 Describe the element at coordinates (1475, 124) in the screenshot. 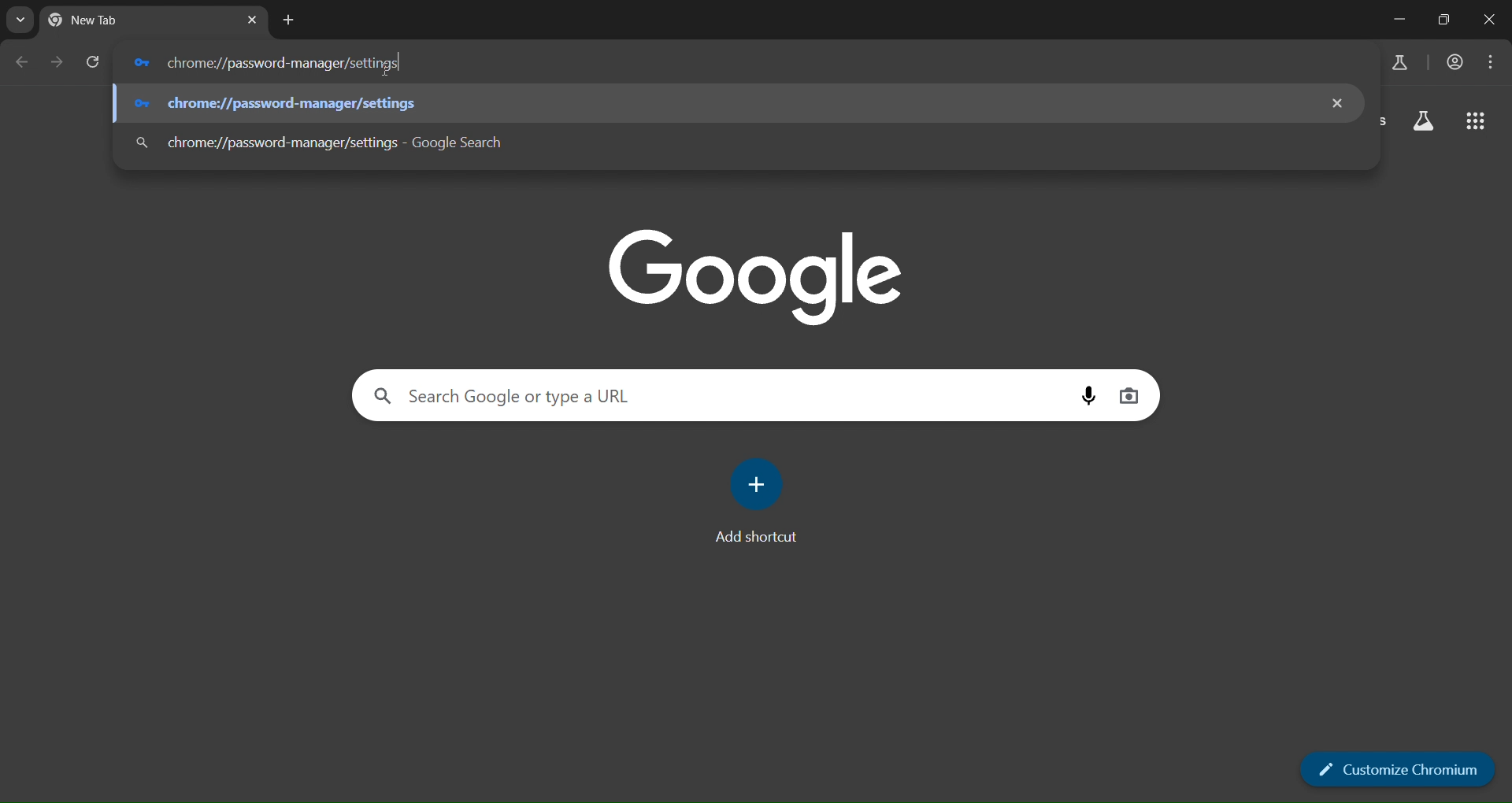

I see `google apps` at that location.